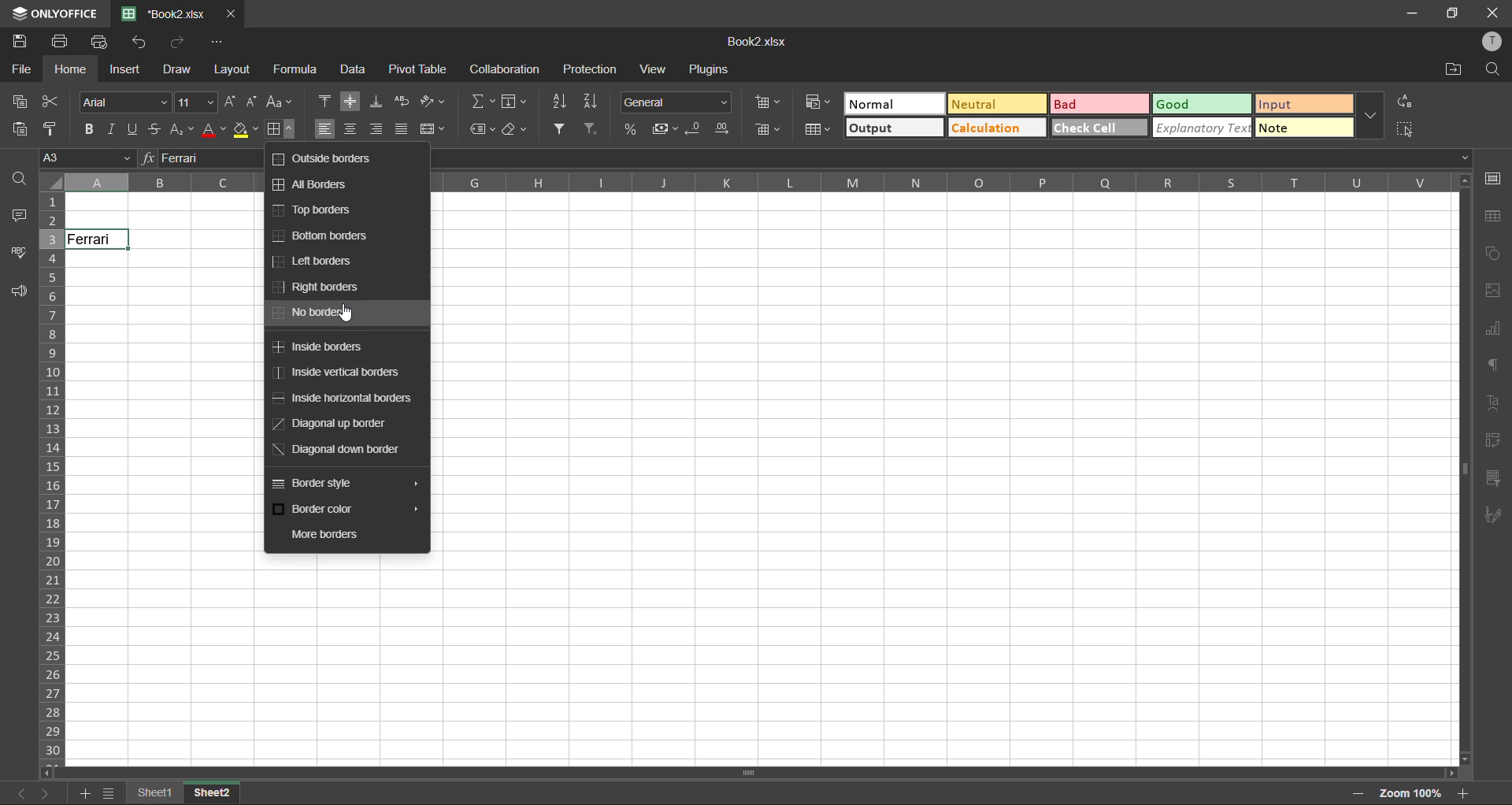 This screenshot has width=1512, height=805. Describe the element at coordinates (110, 244) in the screenshot. I see `Cursor` at that location.